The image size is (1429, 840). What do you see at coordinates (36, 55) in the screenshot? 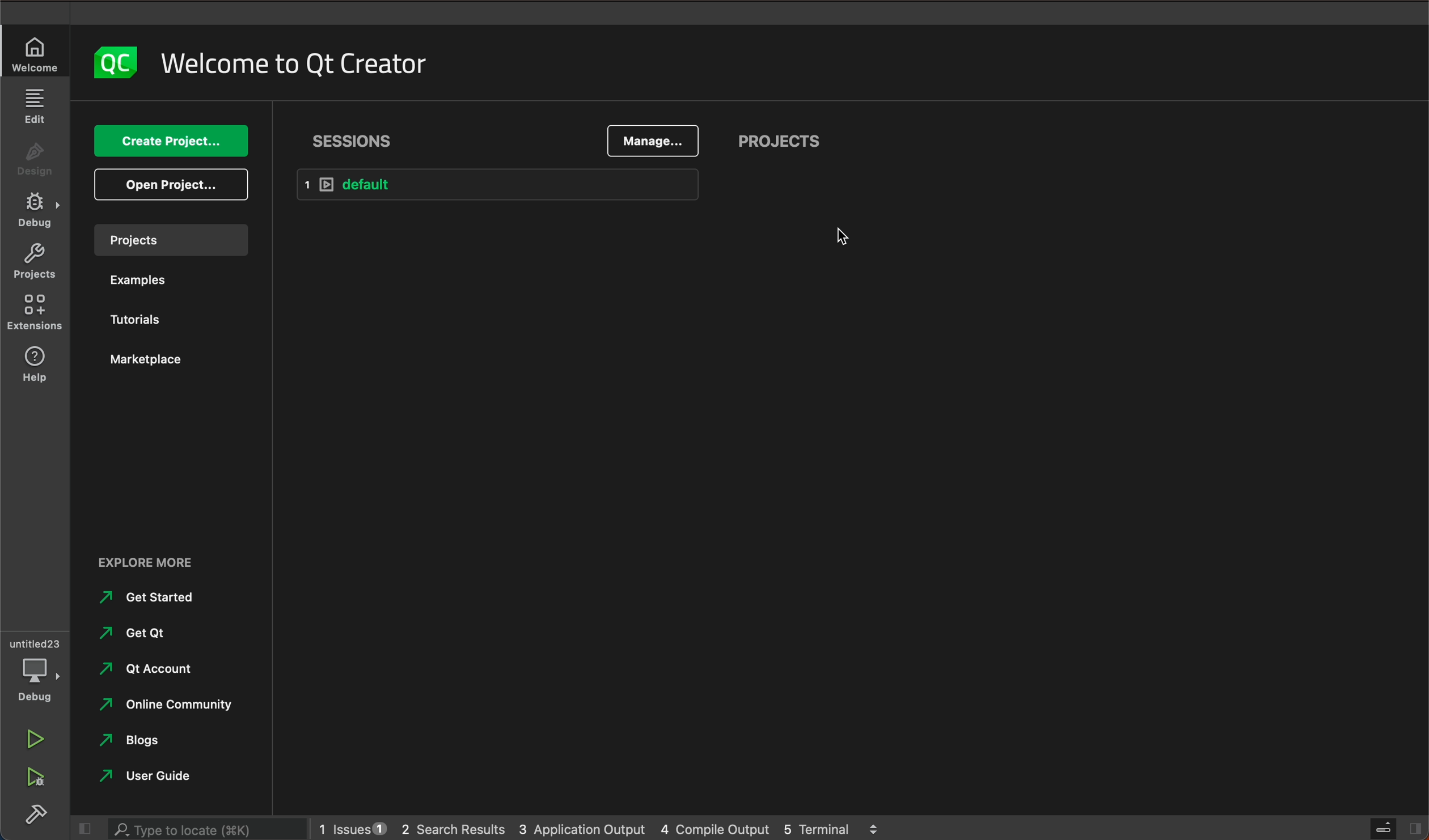
I see `welcome` at bounding box center [36, 55].